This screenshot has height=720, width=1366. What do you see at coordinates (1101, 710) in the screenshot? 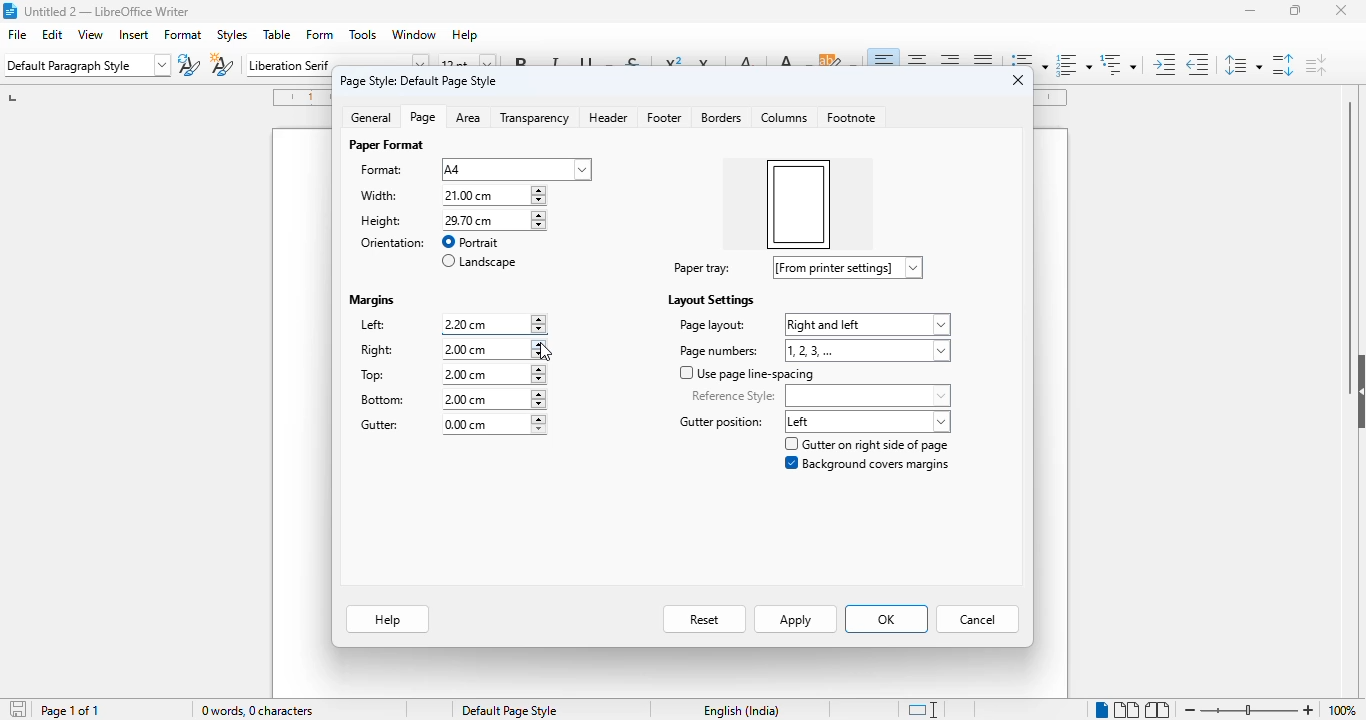
I see `single-page view` at bounding box center [1101, 710].